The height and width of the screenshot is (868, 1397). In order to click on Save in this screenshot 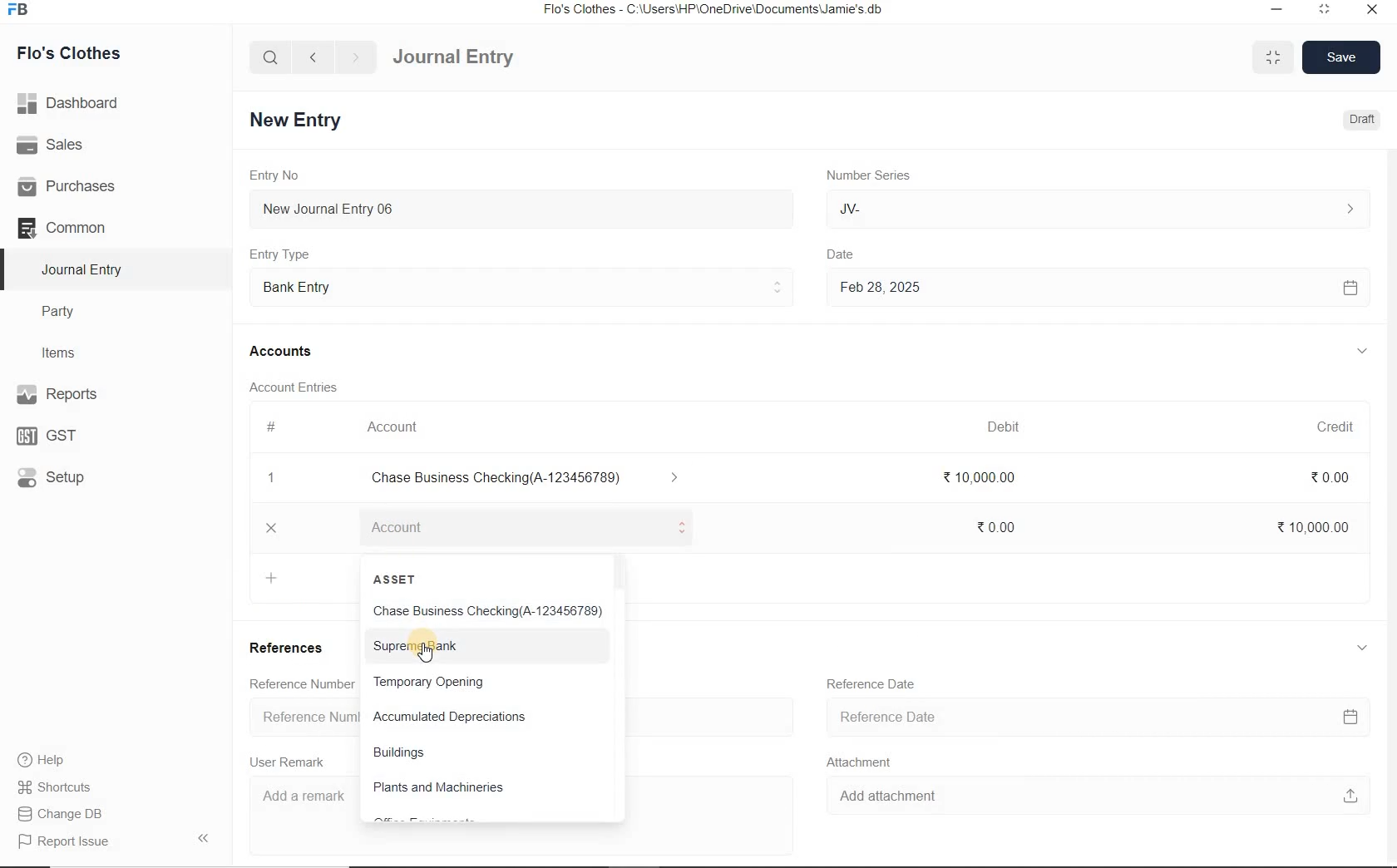, I will do `click(1342, 56)`.